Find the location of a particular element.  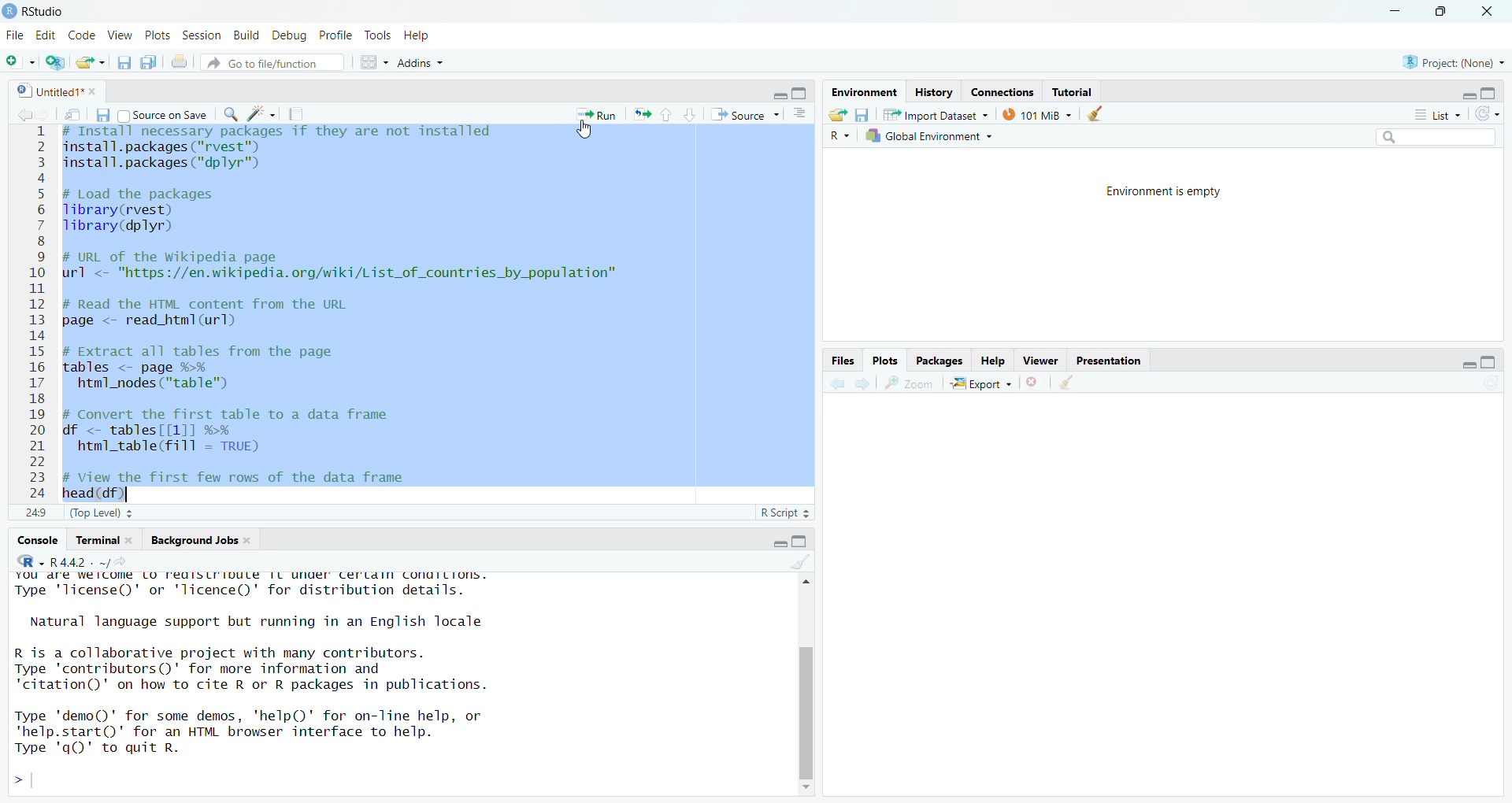

Help is located at coordinates (994, 361).